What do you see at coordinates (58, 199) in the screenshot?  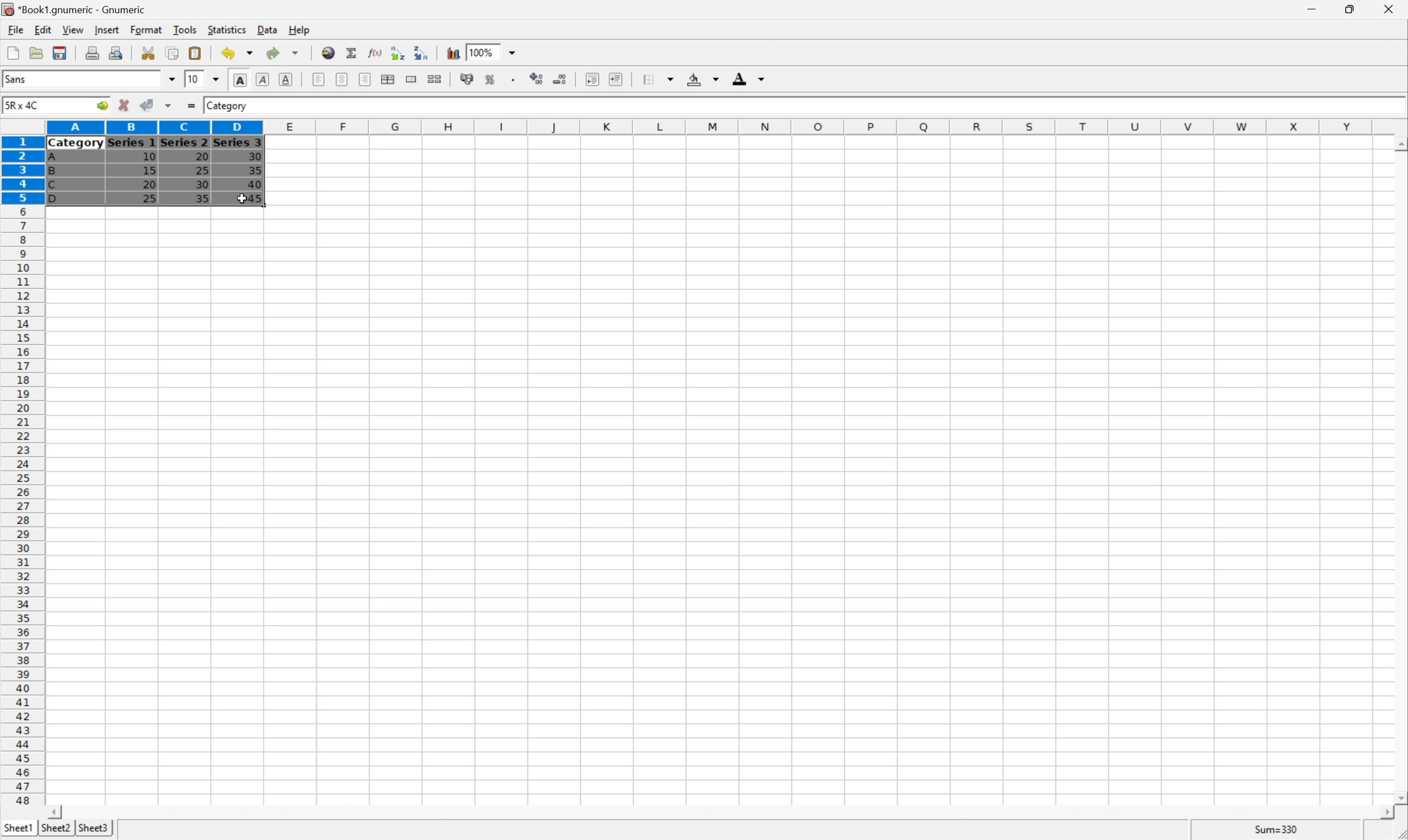 I see `D` at bounding box center [58, 199].